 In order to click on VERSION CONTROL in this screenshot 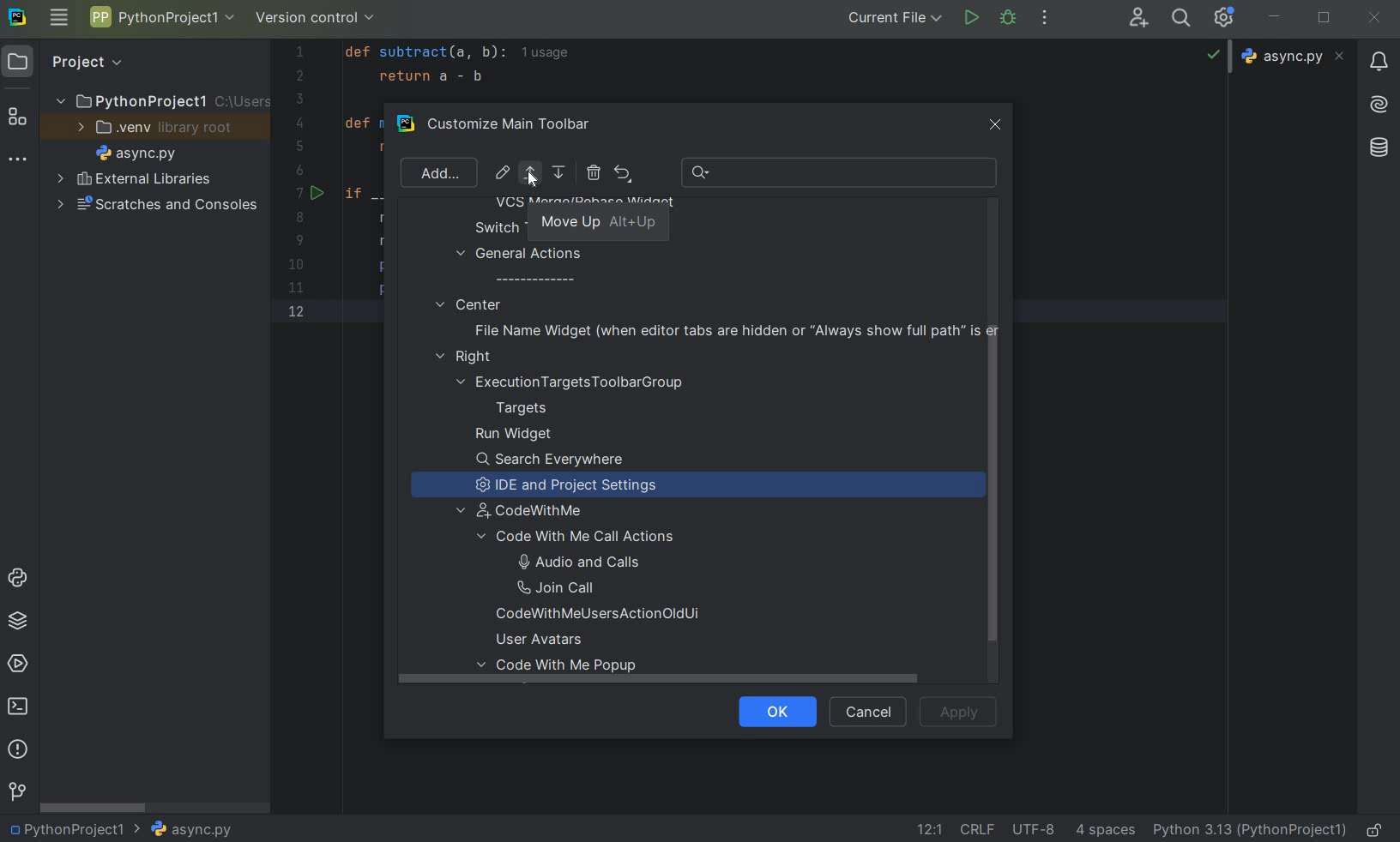, I will do `click(316, 21)`.